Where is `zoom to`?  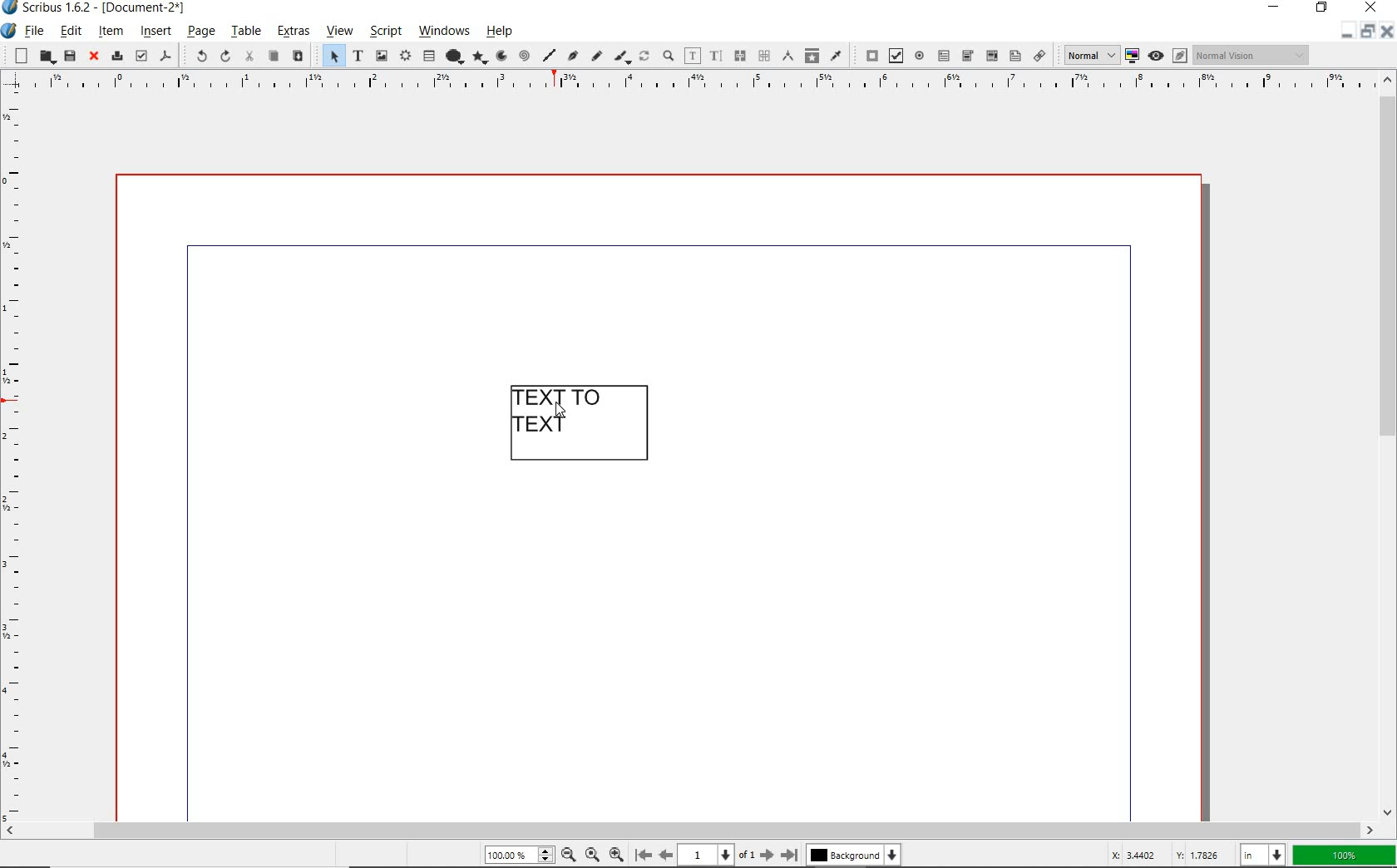 zoom to is located at coordinates (595, 855).